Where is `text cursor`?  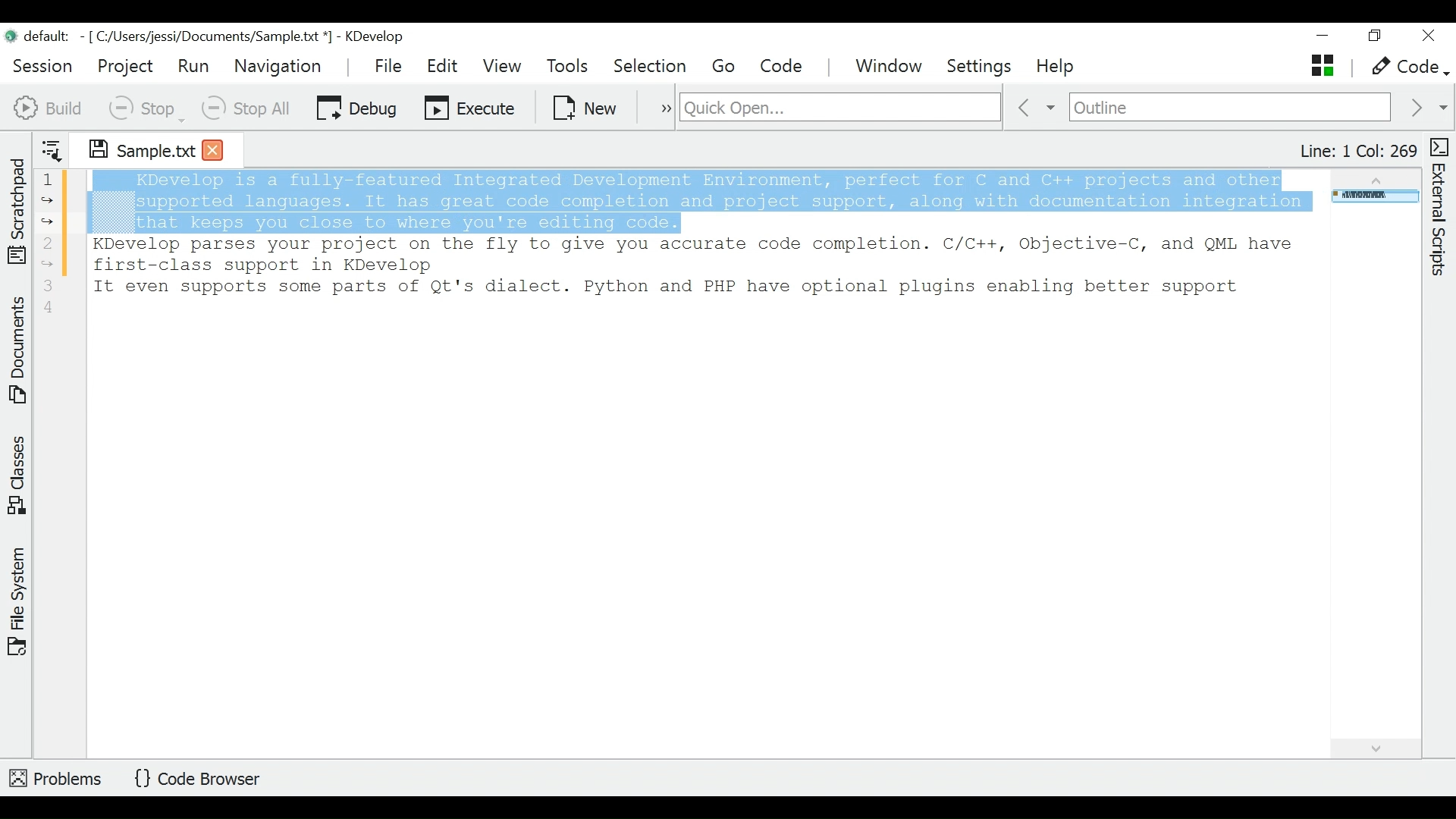 text cursor is located at coordinates (581, 224).